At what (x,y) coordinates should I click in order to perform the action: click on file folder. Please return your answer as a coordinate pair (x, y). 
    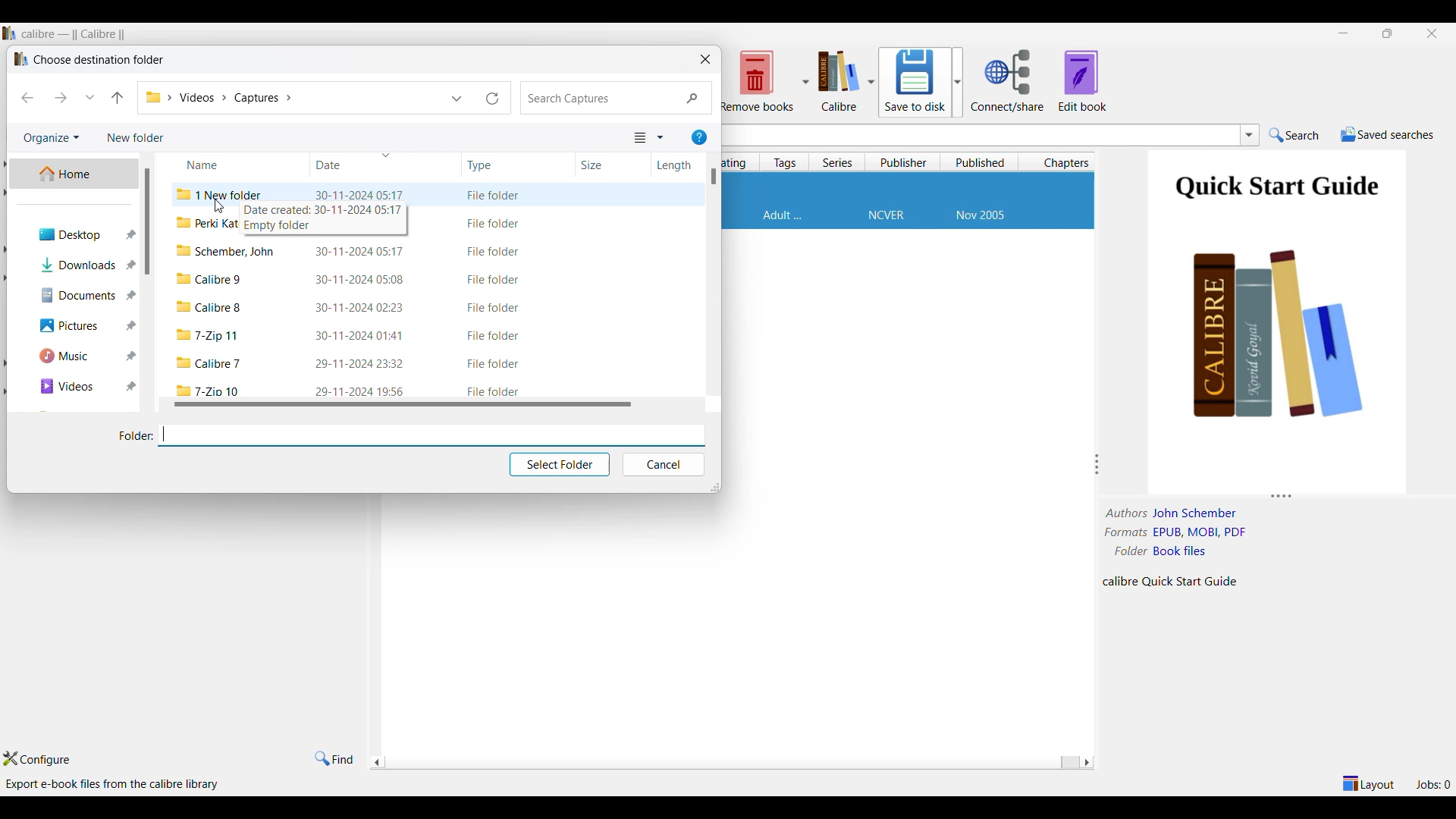
    Looking at the image, I should click on (494, 337).